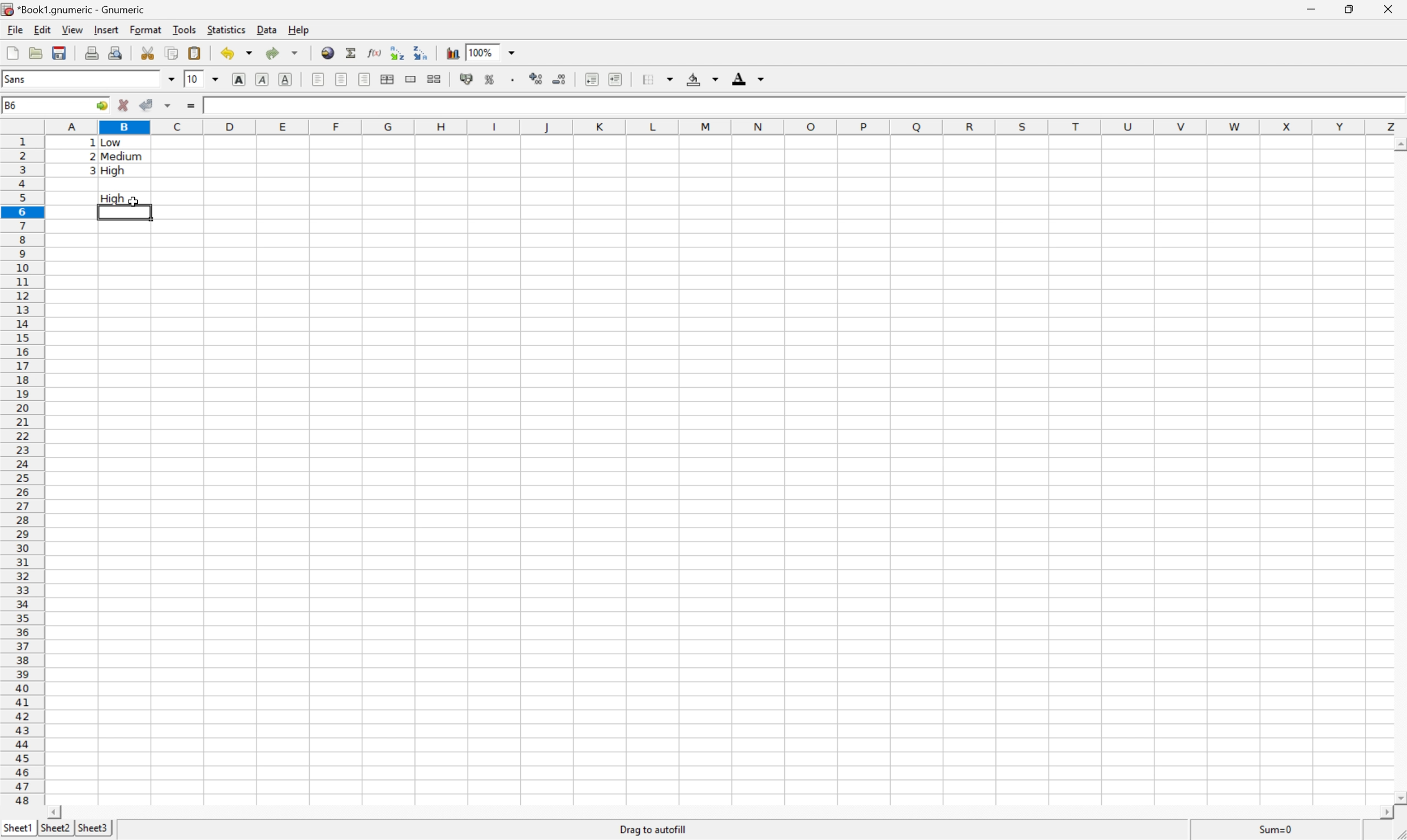 The image size is (1407, 840). I want to click on Align Left, so click(318, 78).